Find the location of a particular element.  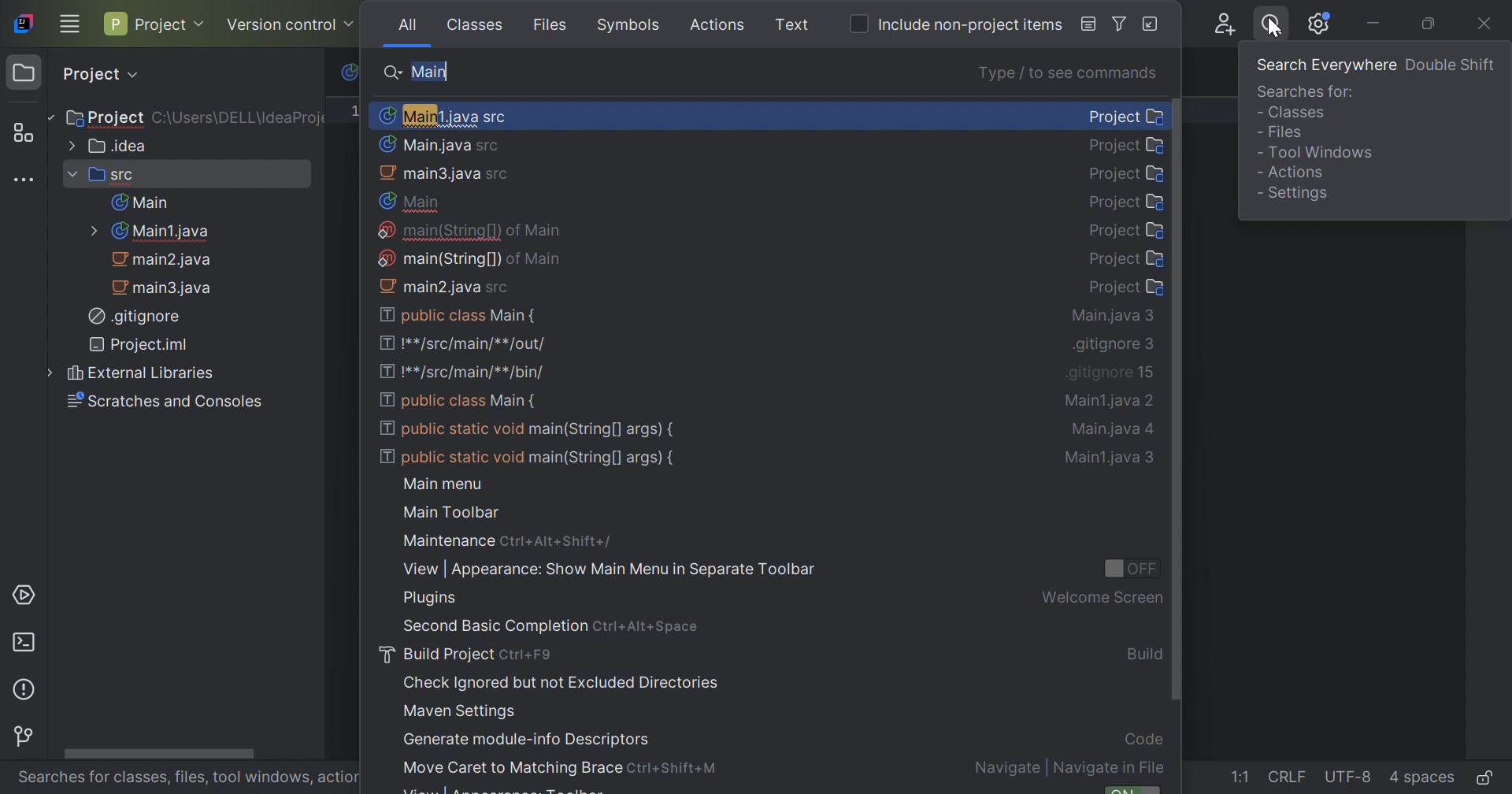

main(String[]) of Main is located at coordinates (469, 257).